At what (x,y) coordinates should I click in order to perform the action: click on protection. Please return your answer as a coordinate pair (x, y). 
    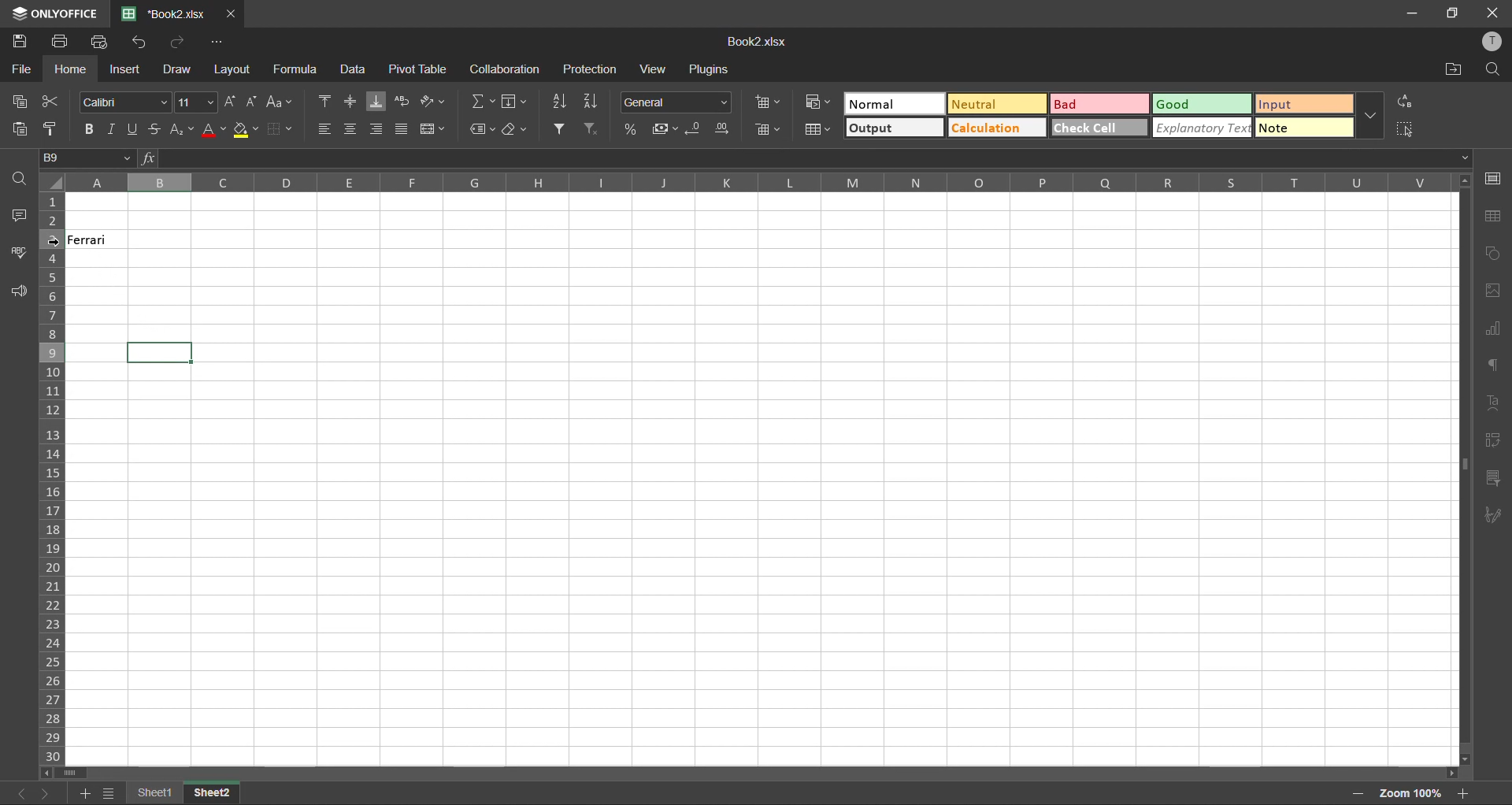
    Looking at the image, I should click on (592, 69).